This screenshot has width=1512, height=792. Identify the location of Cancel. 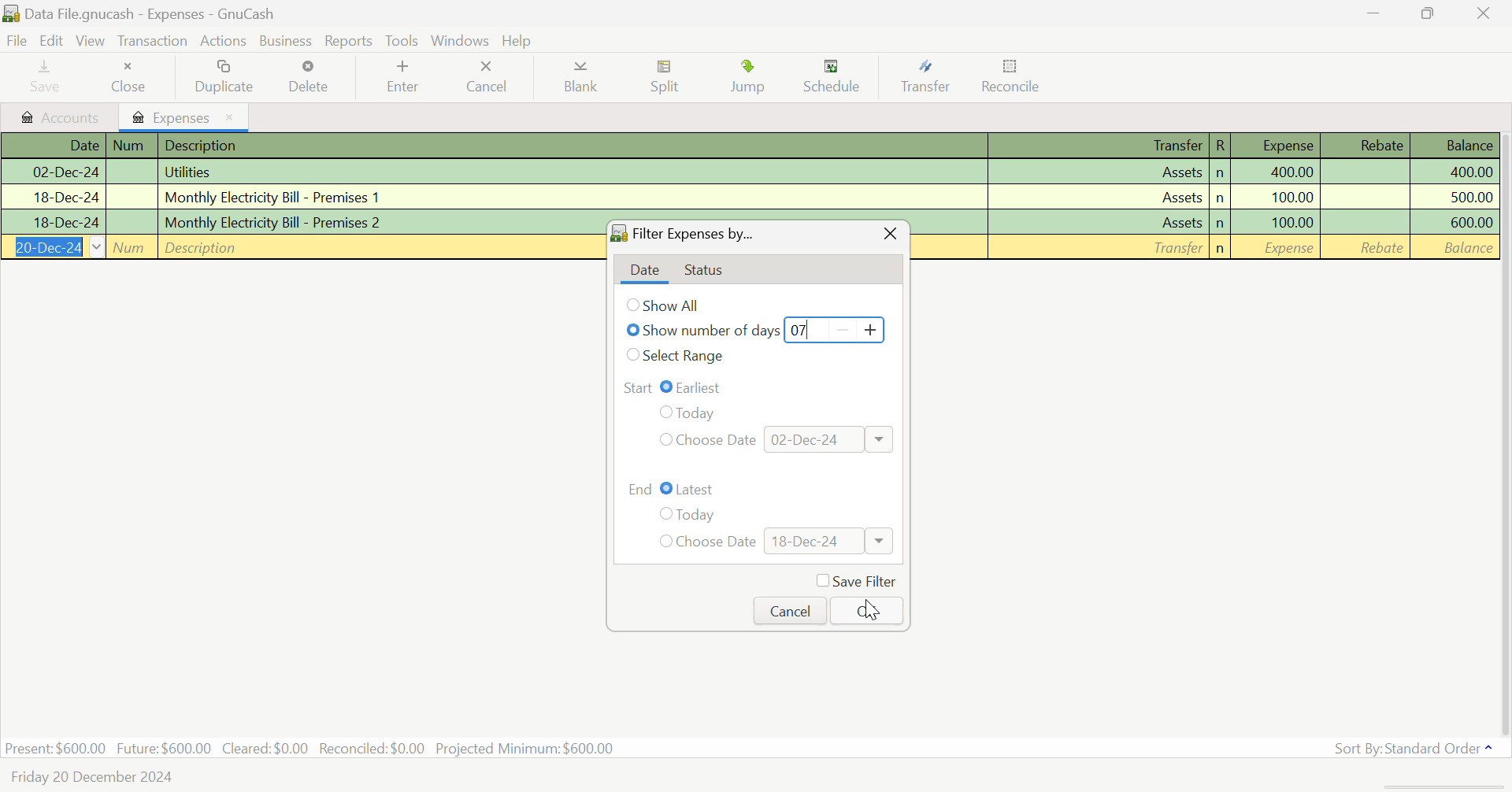
(491, 79).